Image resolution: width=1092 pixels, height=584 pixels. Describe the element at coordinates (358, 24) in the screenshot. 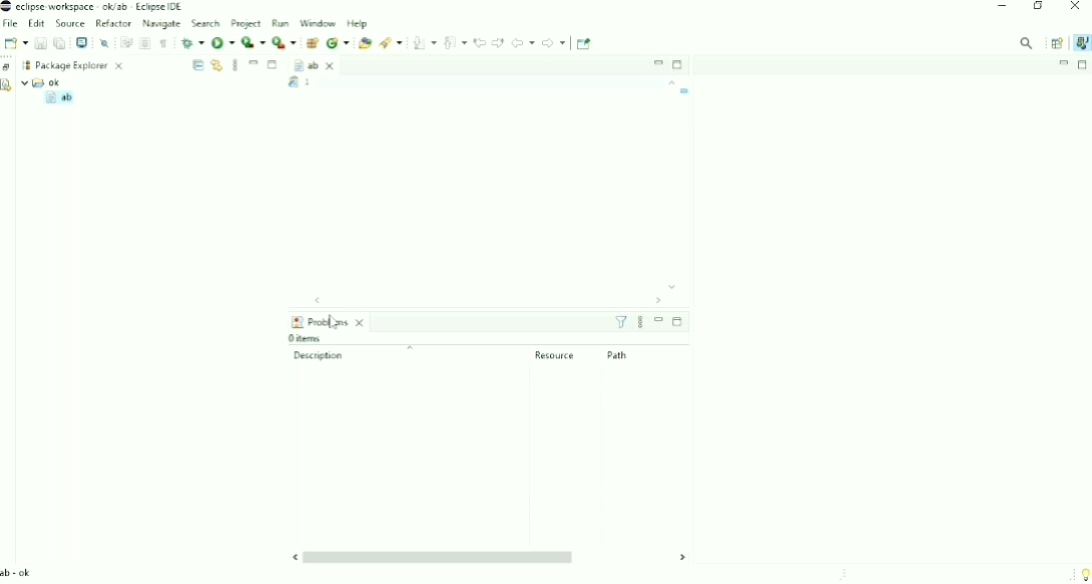

I see `Help` at that location.